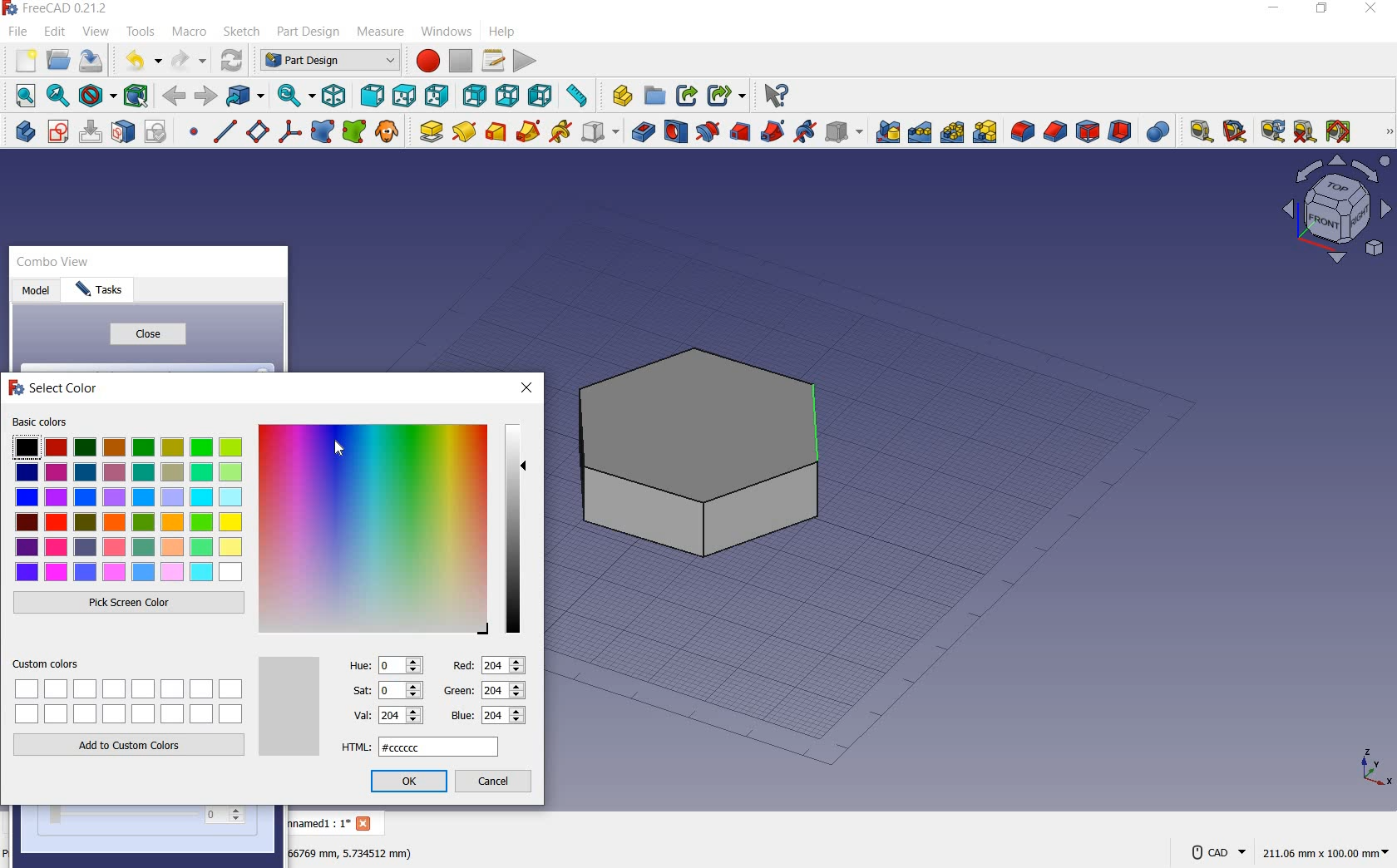  I want to click on help, so click(511, 32).